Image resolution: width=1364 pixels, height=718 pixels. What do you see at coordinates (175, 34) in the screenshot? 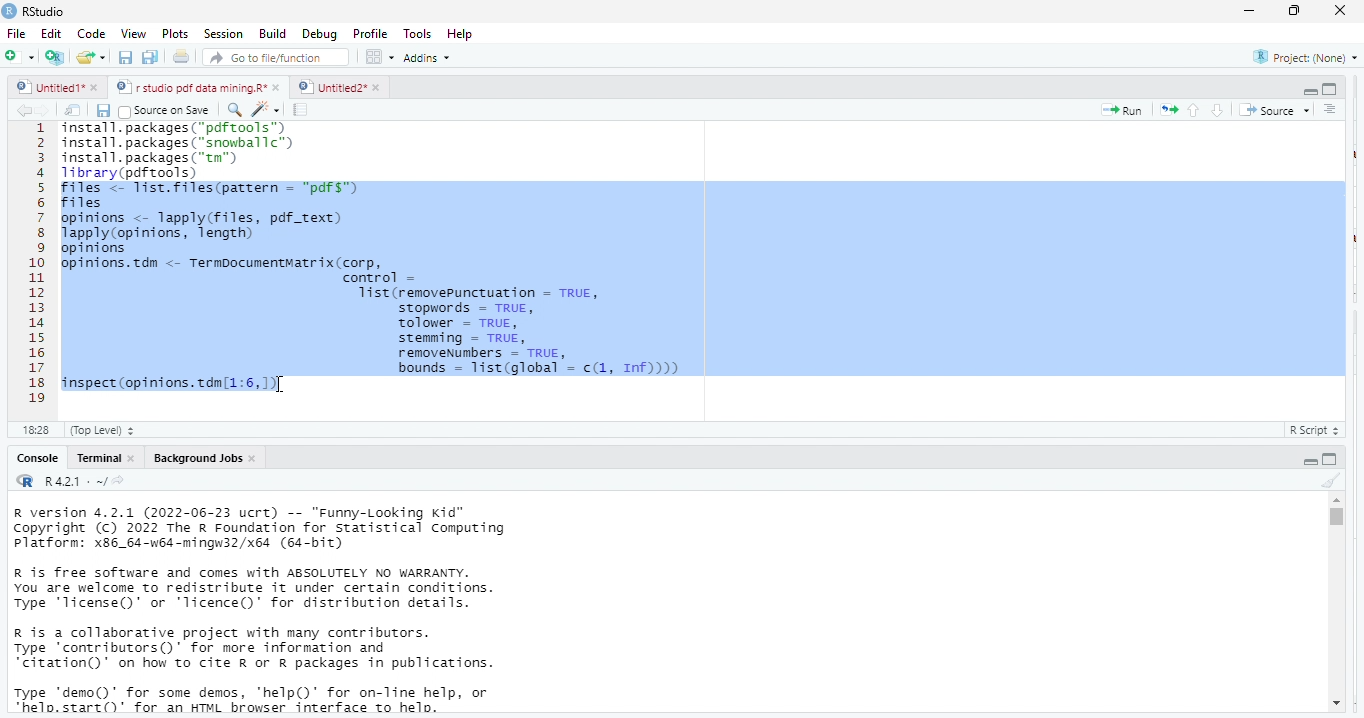
I see `plots` at bounding box center [175, 34].